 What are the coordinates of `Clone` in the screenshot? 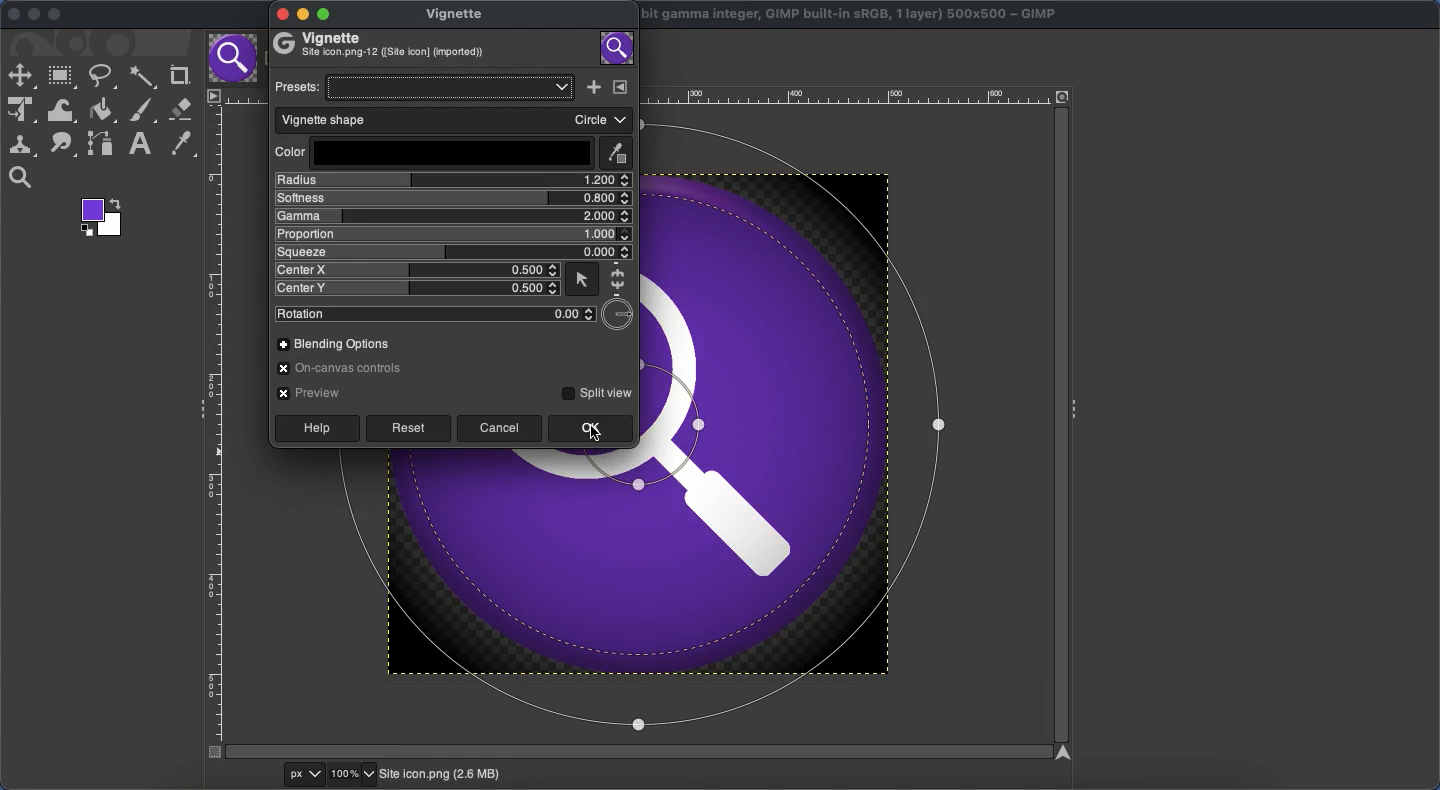 It's located at (21, 145).